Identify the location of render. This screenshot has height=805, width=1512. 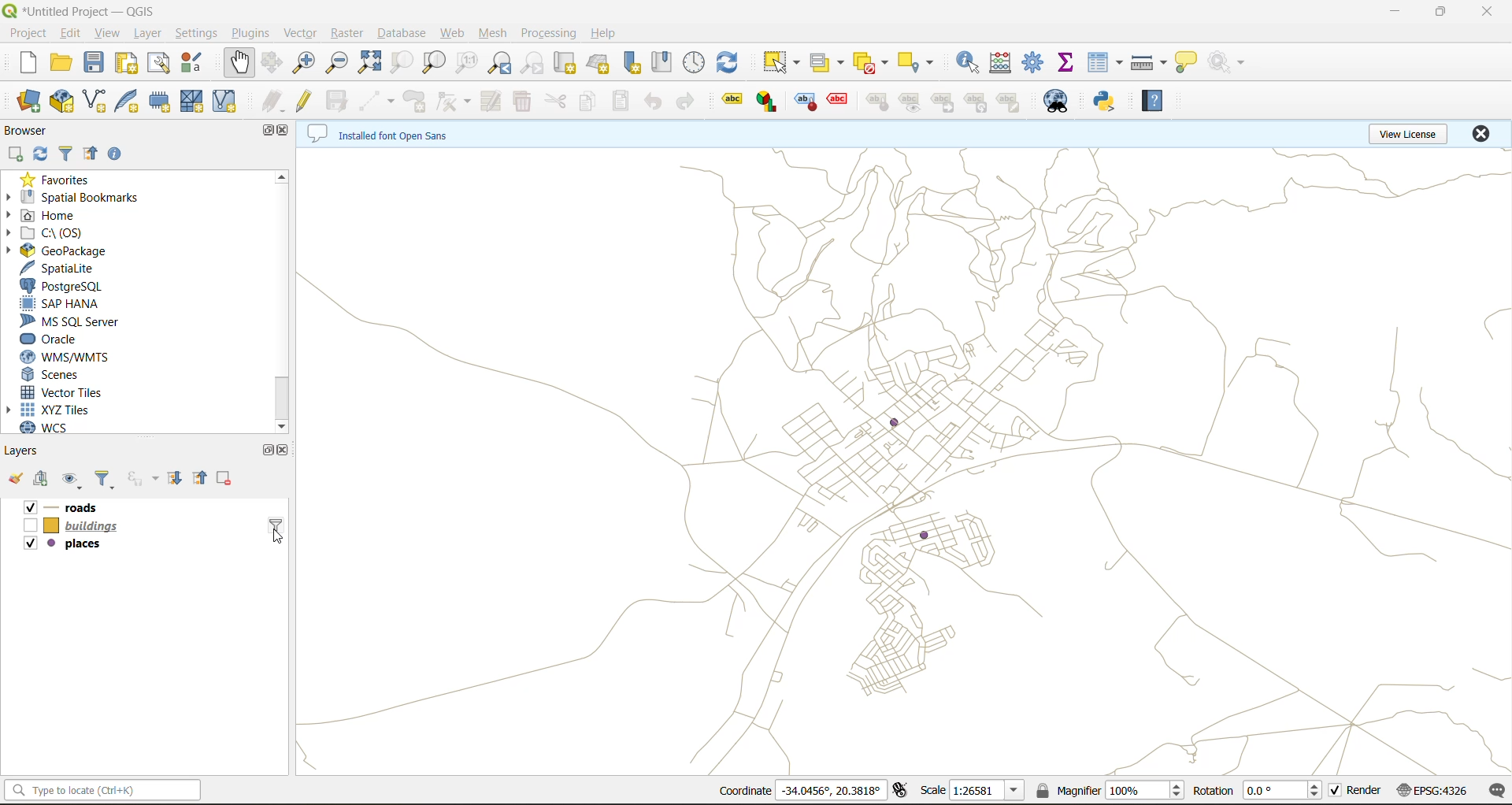
(1356, 791).